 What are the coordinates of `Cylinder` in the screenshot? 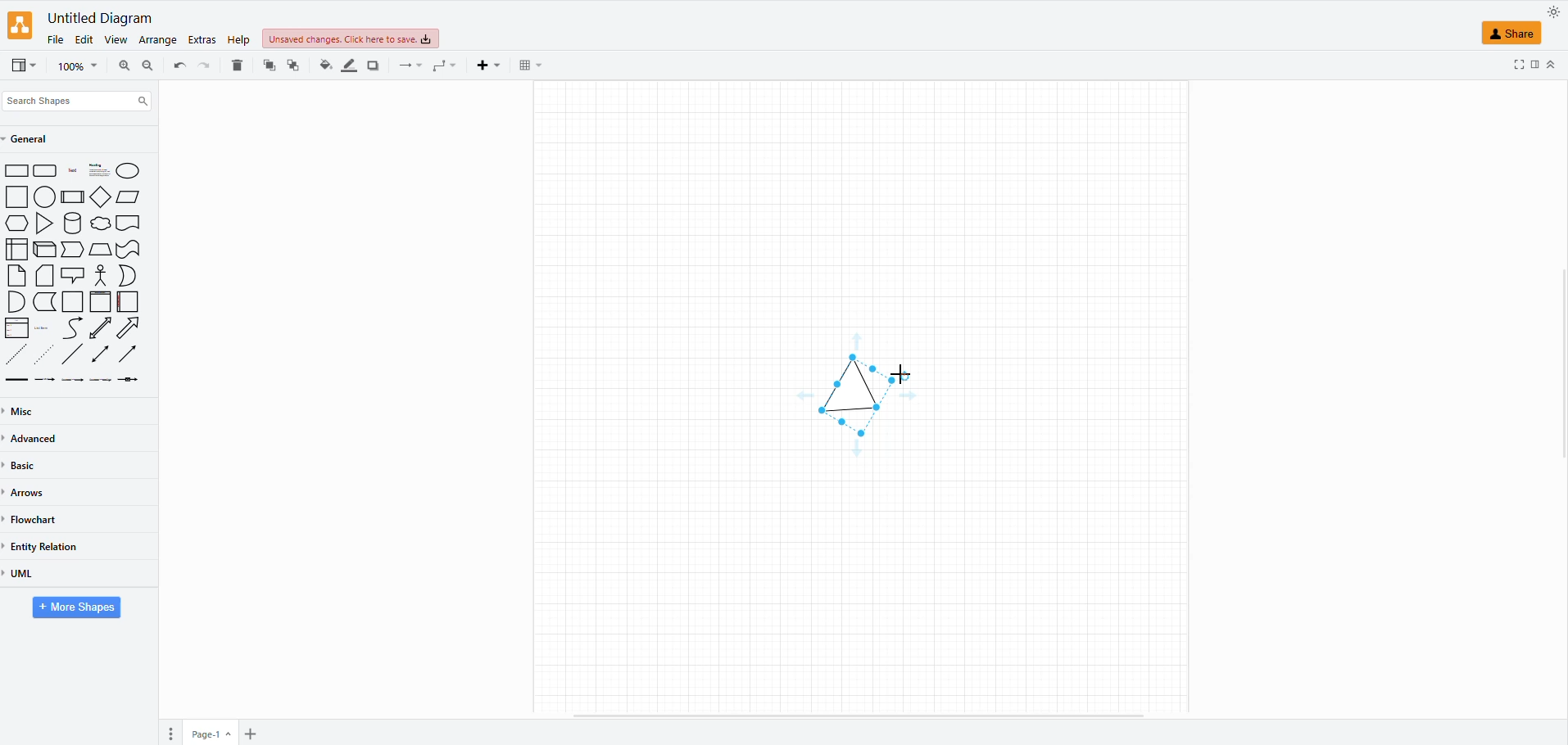 It's located at (74, 223).